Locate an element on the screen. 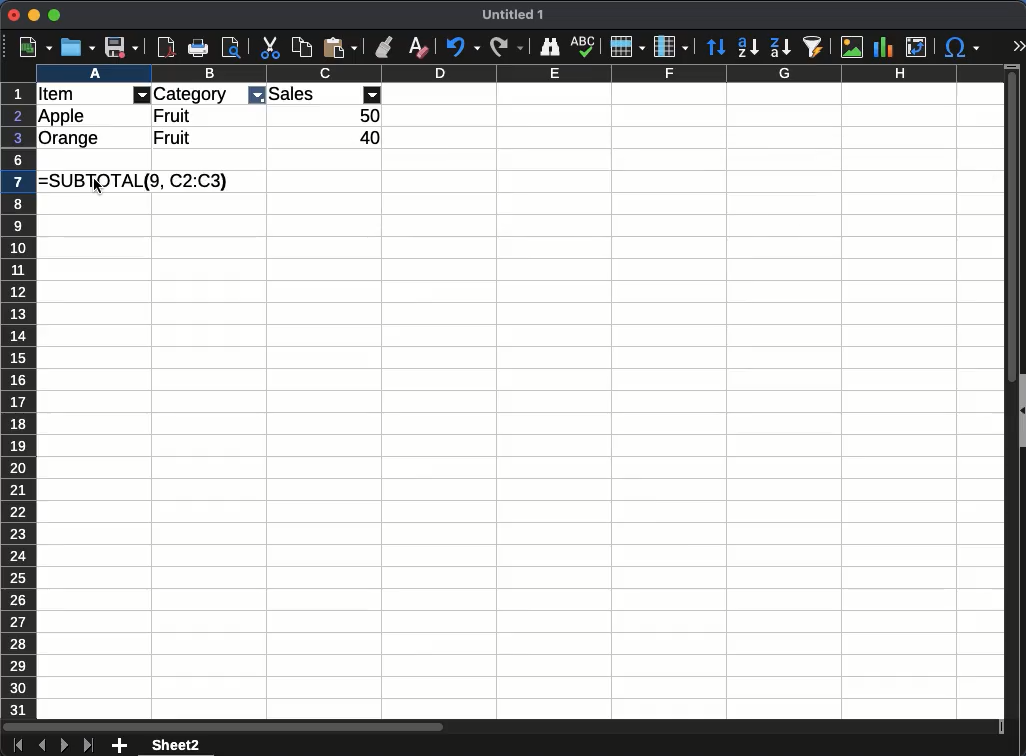 This screenshot has width=1026, height=756. image is located at coordinates (853, 46).